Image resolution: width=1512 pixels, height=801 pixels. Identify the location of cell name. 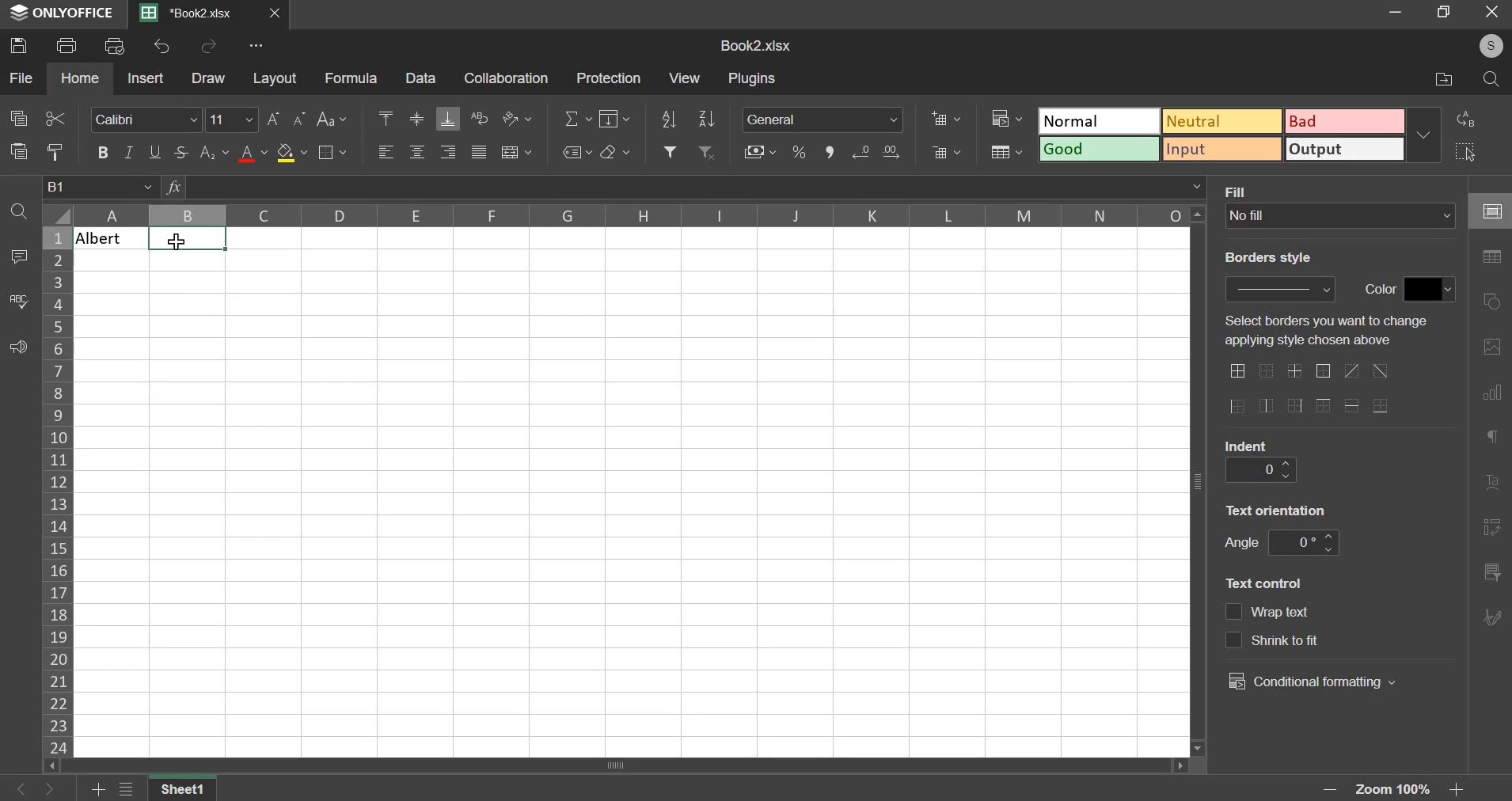
(101, 187).